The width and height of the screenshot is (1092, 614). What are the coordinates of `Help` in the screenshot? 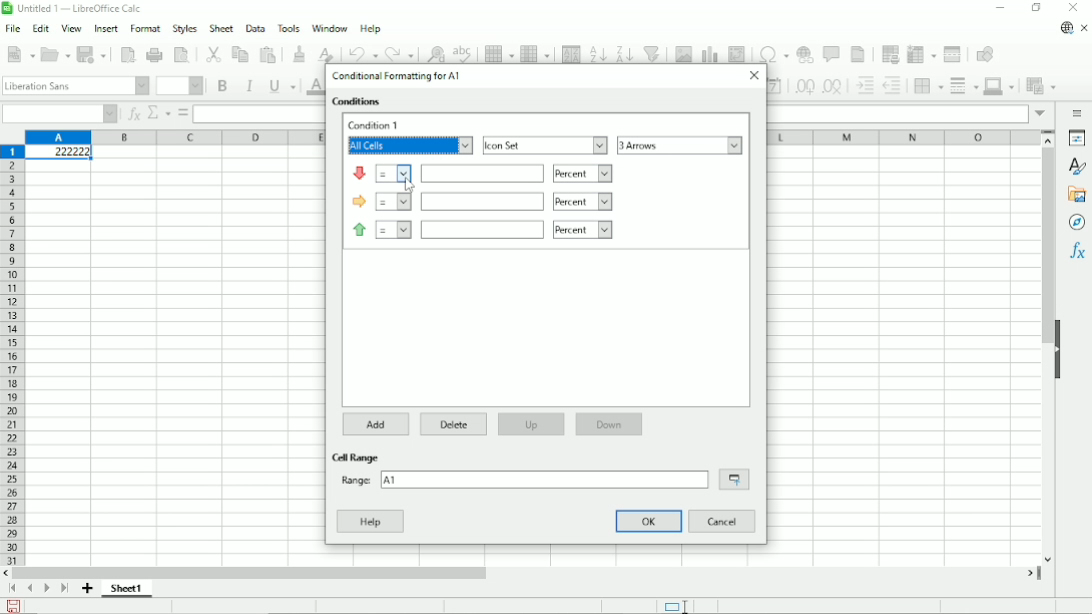 It's located at (370, 521).